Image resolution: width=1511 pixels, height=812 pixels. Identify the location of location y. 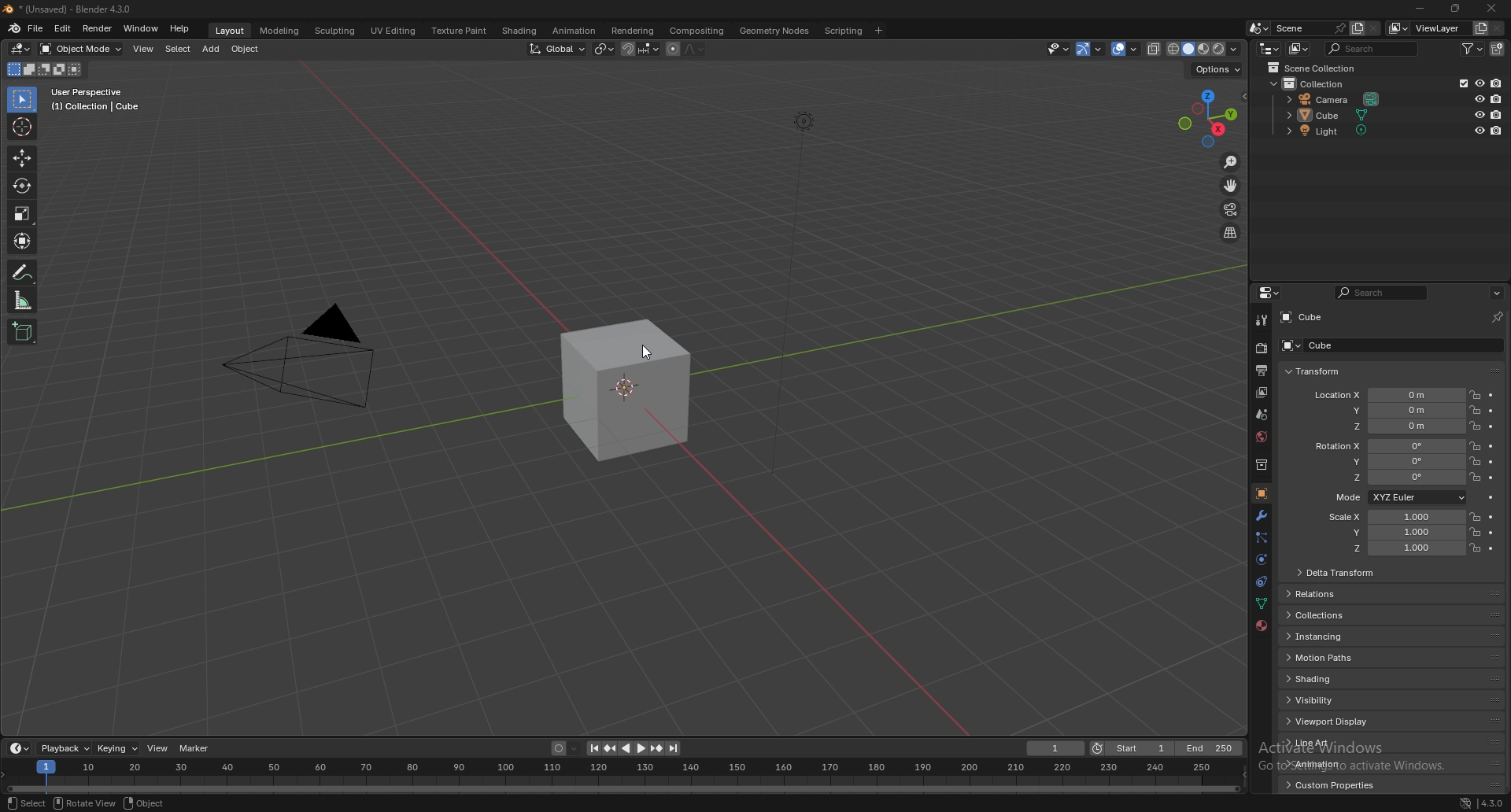
(1388, 411).